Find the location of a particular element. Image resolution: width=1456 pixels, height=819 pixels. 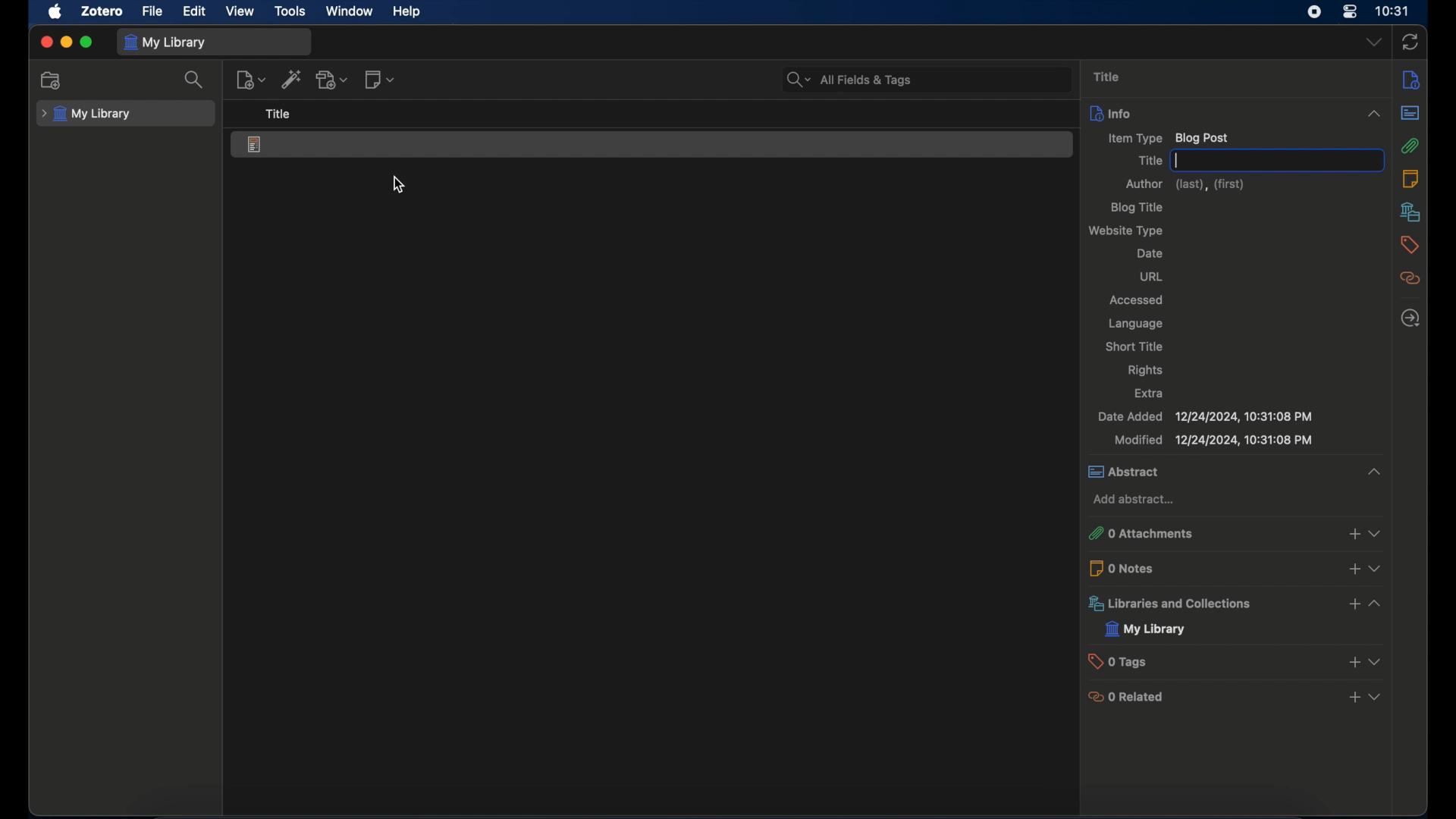

short title is located at coordinates (1134, 345).